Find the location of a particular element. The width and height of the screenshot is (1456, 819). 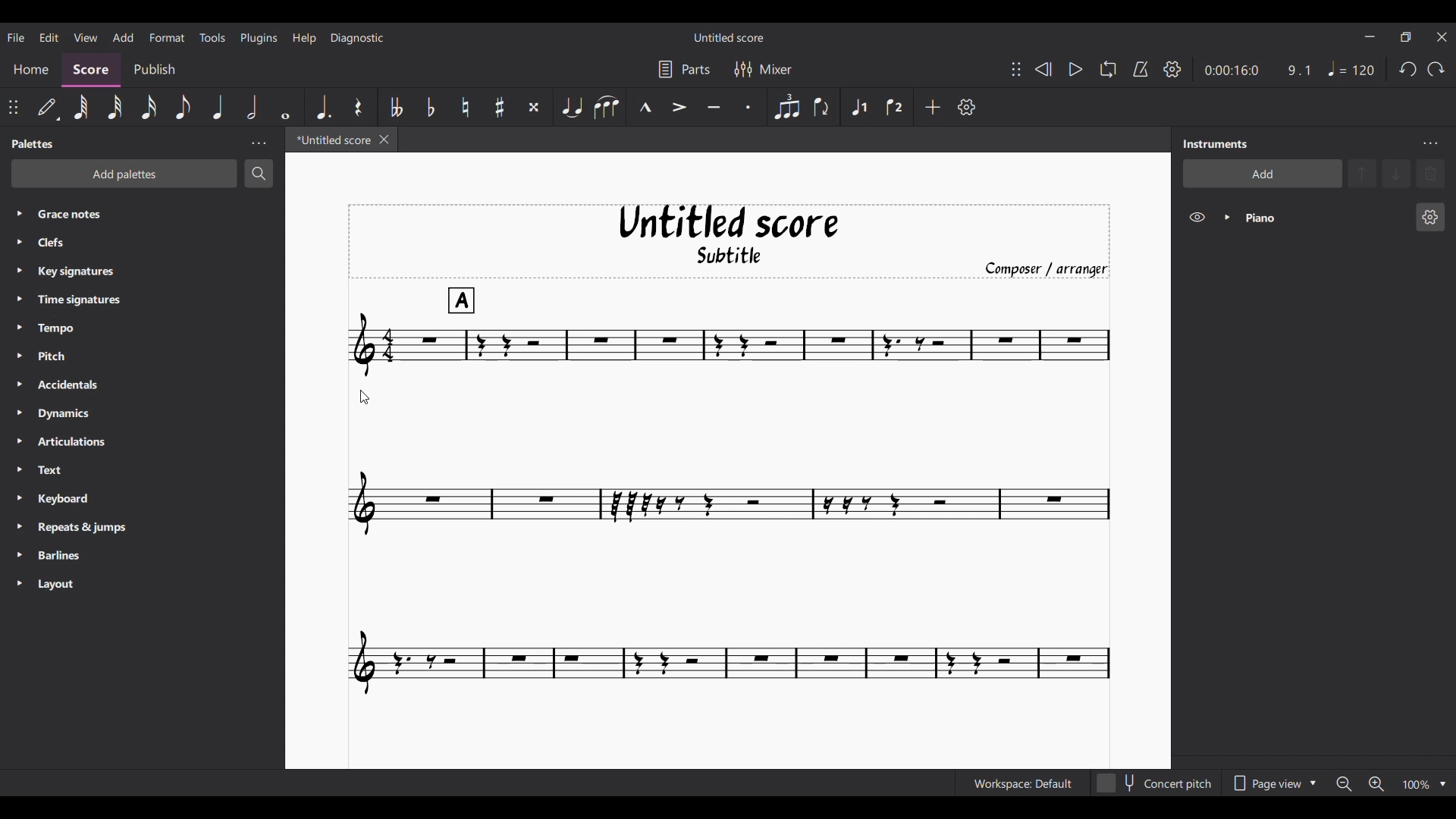

Diagnostic menu is located at coordinates (358, 38).